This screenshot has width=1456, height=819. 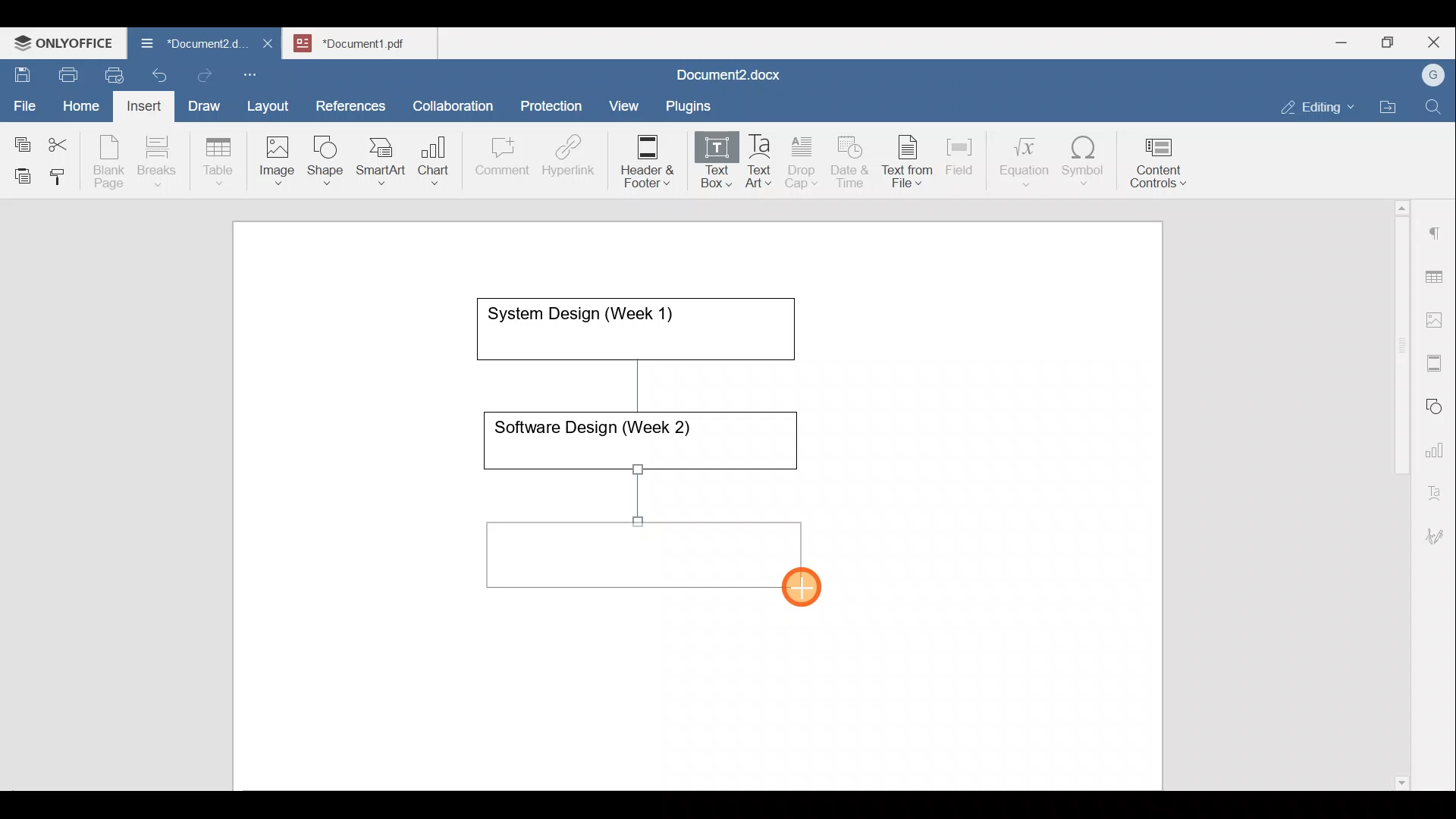 I want to click on Symbol, so click(x=1084, y=165).